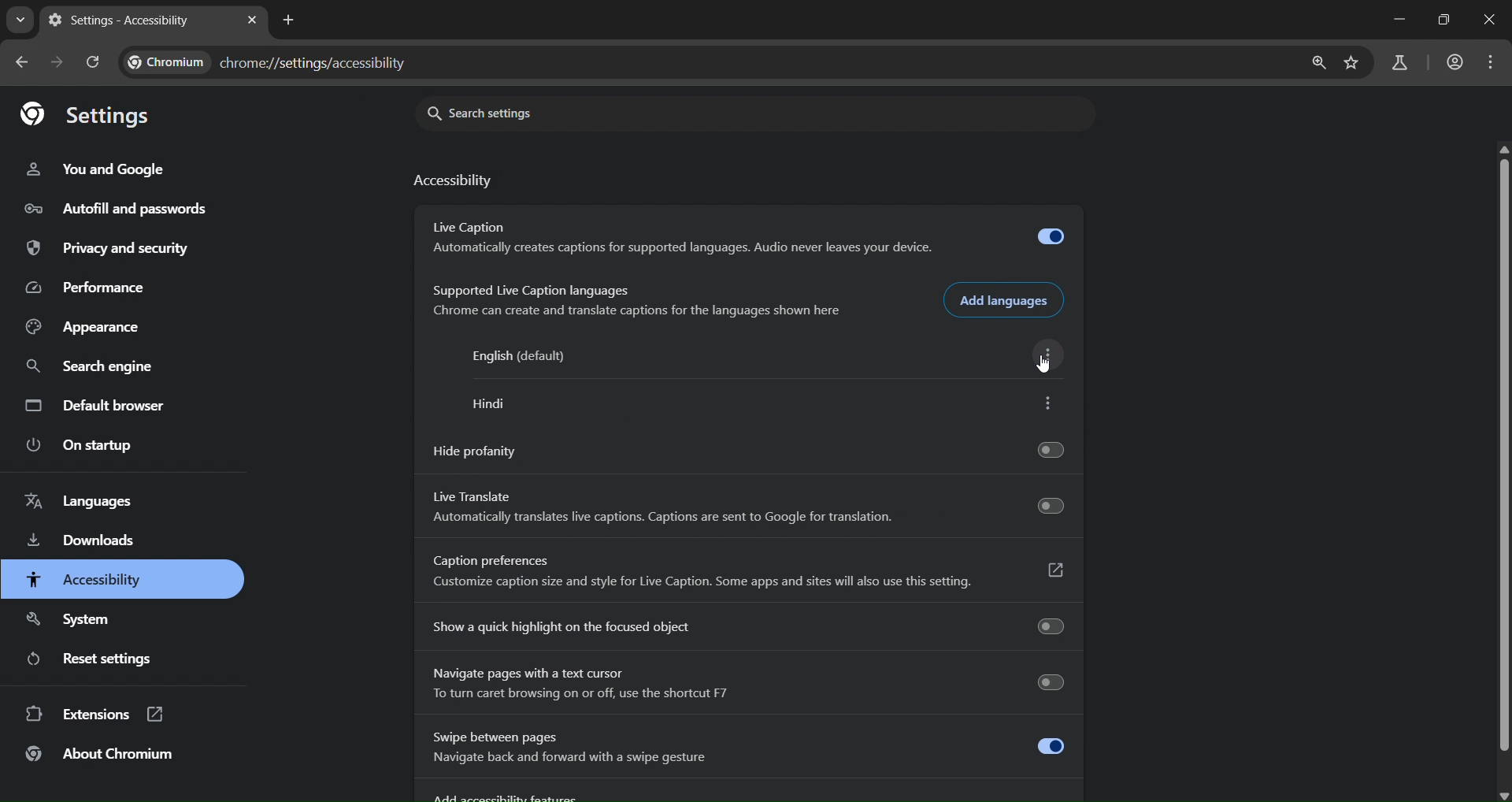 The height and width of the screenshot is (802, 1512). Describe the element at coordinates (1503, 459) in the screenshot. I see `scroolbar` at that location.